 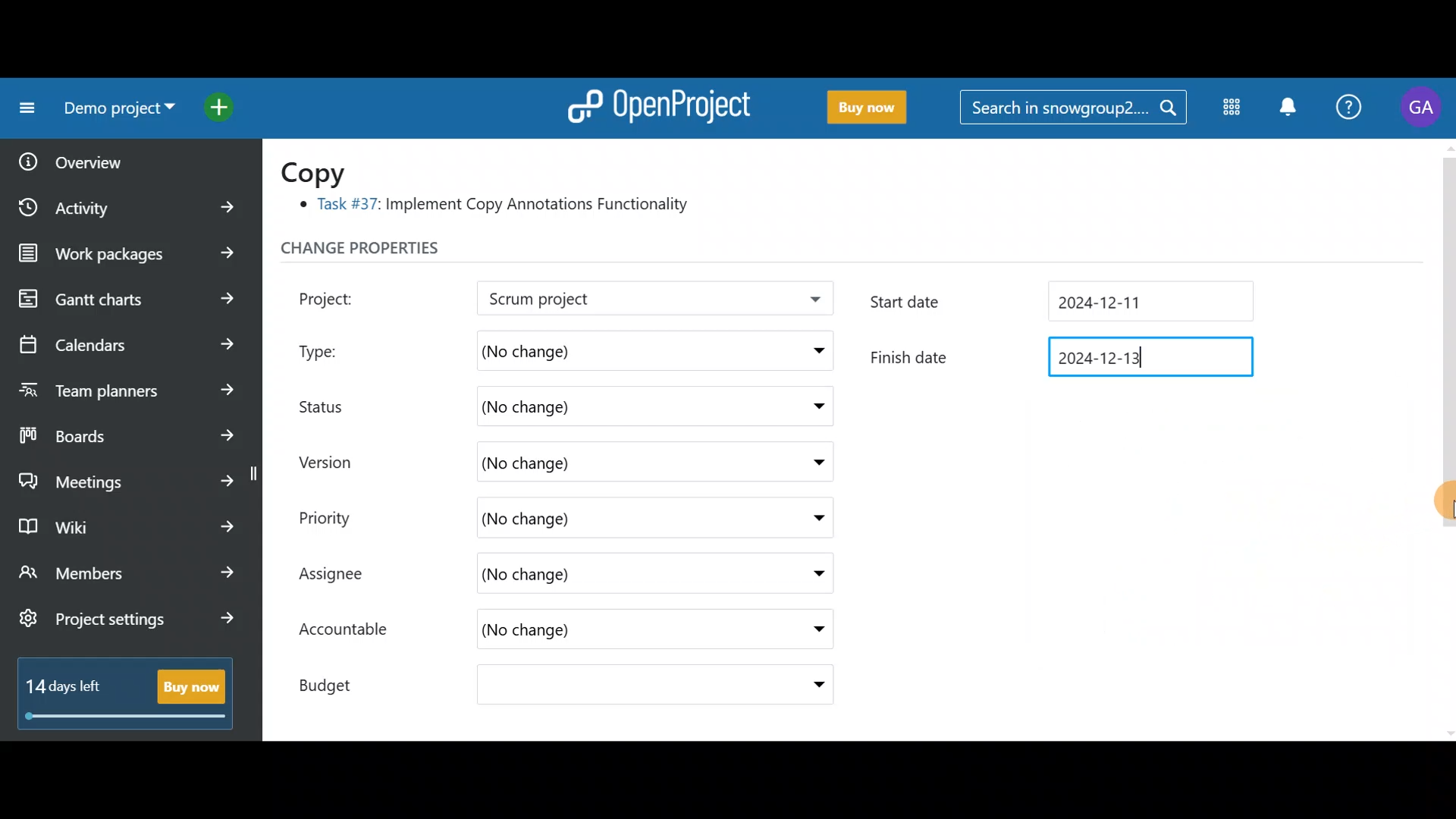 I want to click on Status, so click(x=334, y=404).